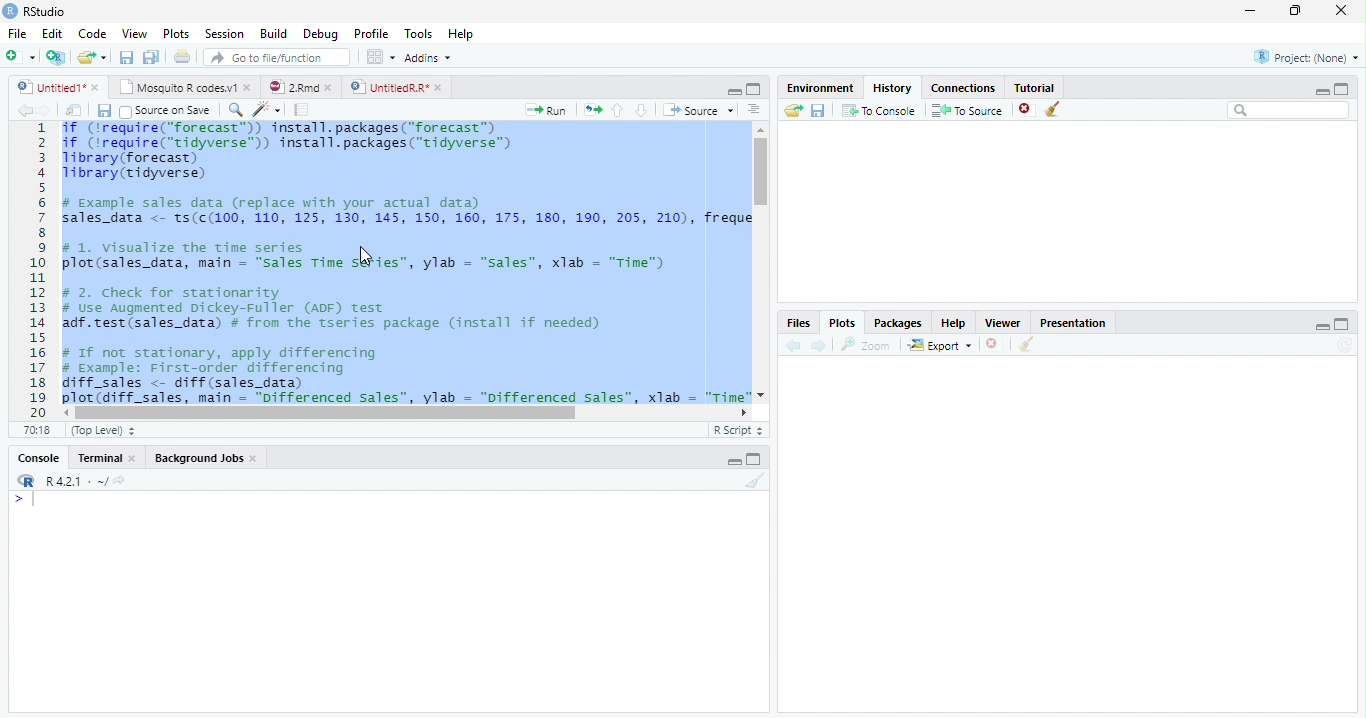  What do you see at coordinates (102, 430) in the screenshot?
I see `Top level` at bounding box center [102, 430].